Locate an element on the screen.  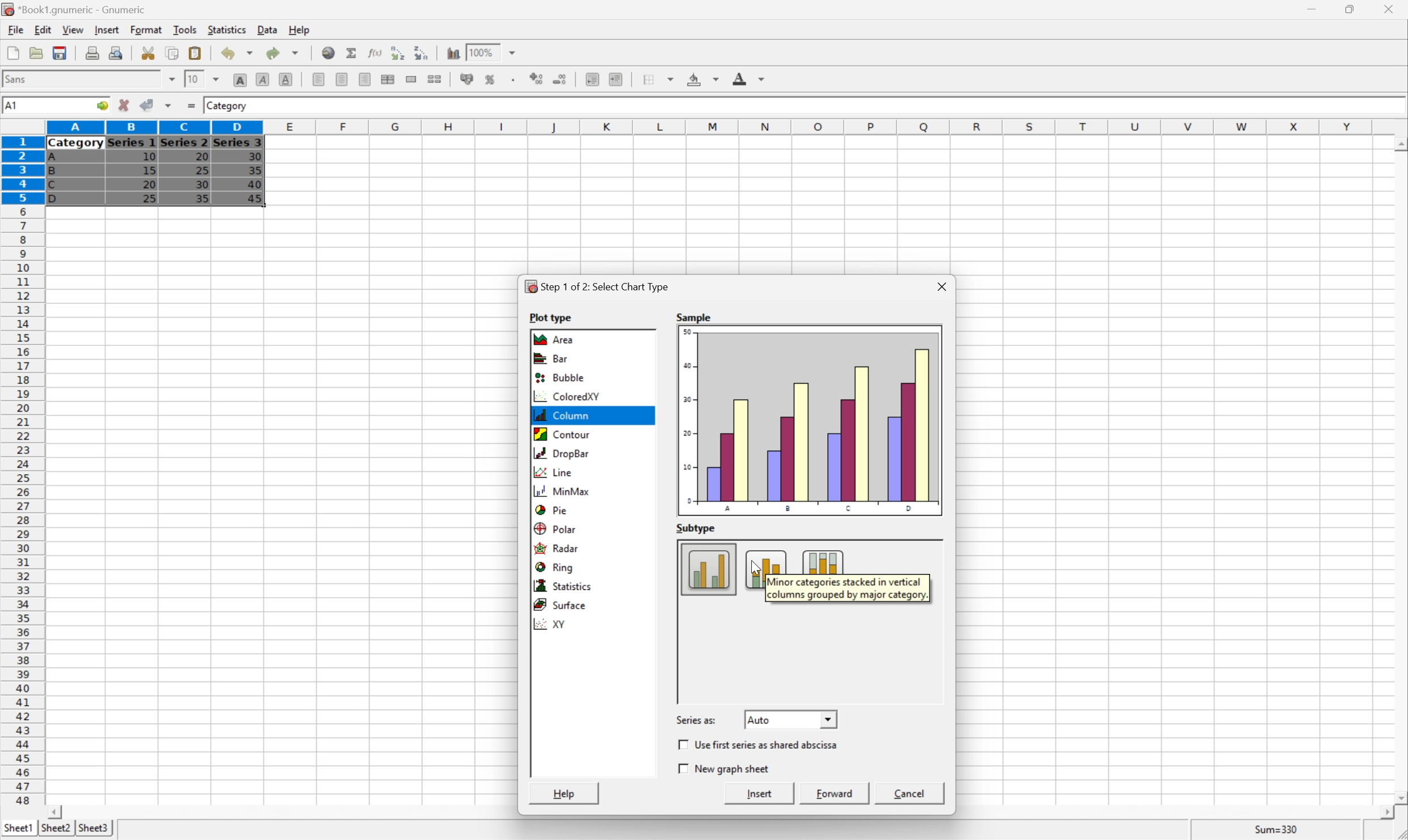
Italic is located at coordinates (262, 79).